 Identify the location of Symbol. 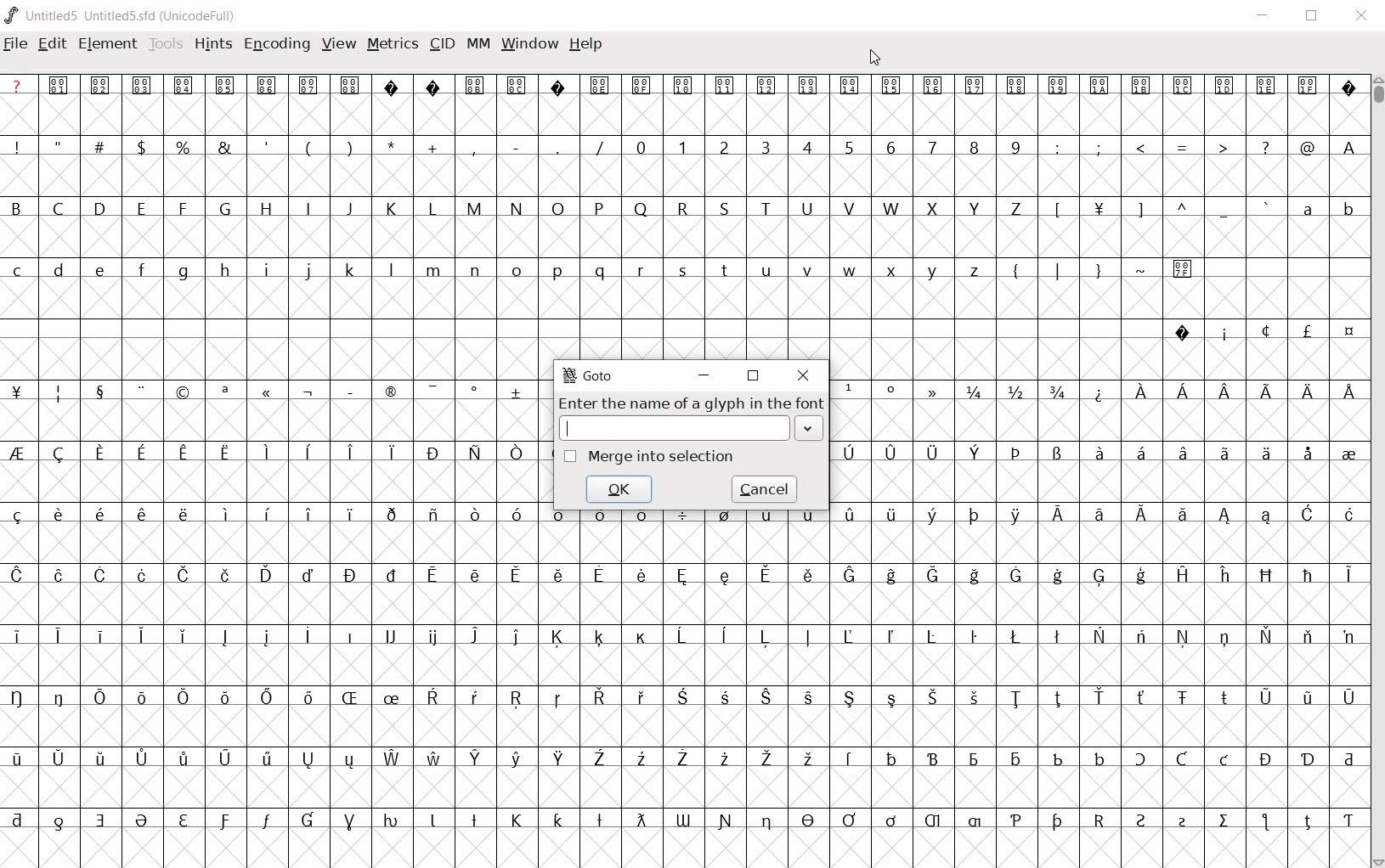
(1348, 87).